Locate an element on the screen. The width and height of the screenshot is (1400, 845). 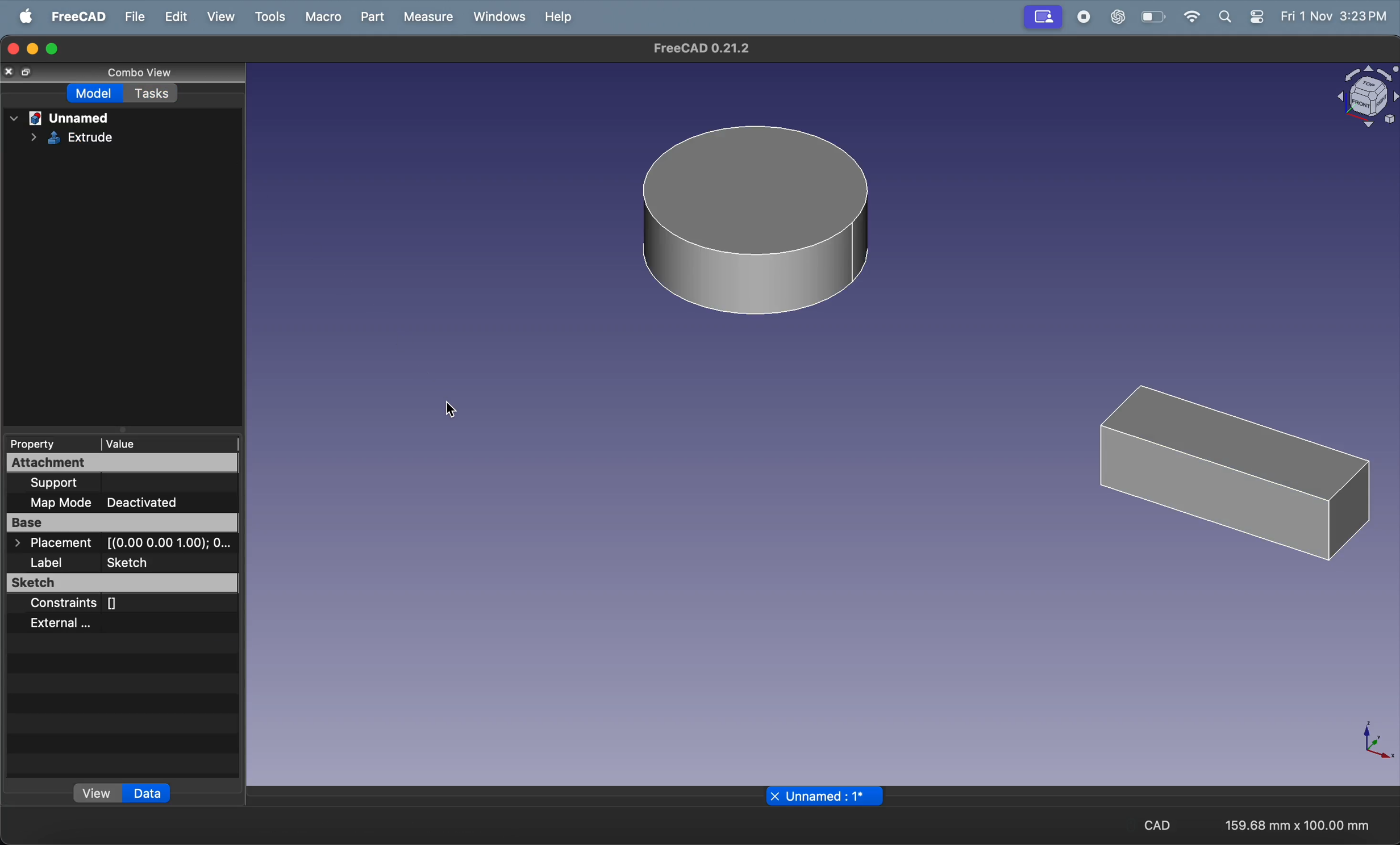
159.68 mm x 100.00 mm is located at coordinates (1288, 825).